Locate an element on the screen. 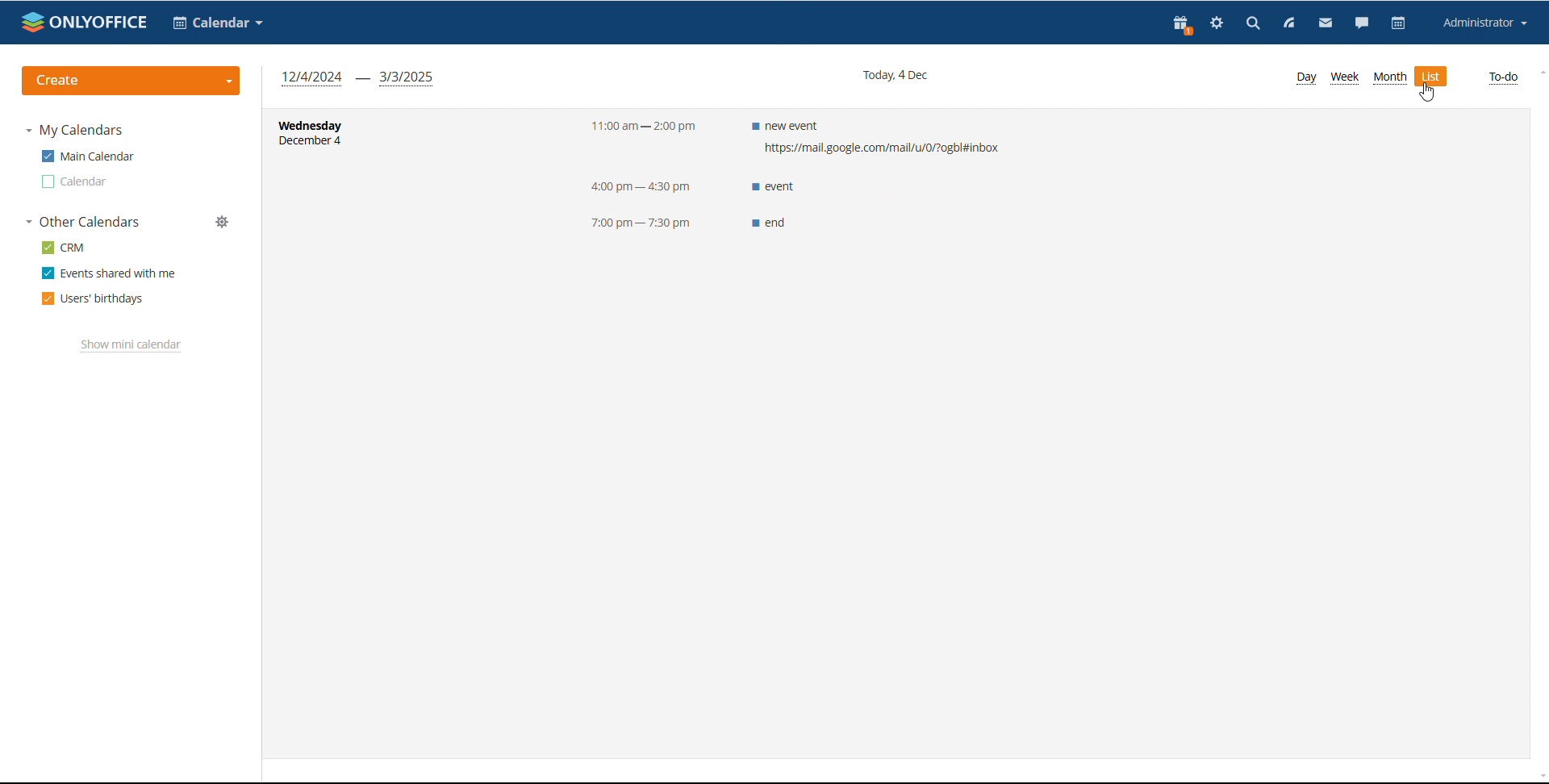 The image size is (1549, 784). create is located at coordinates (132, 81).